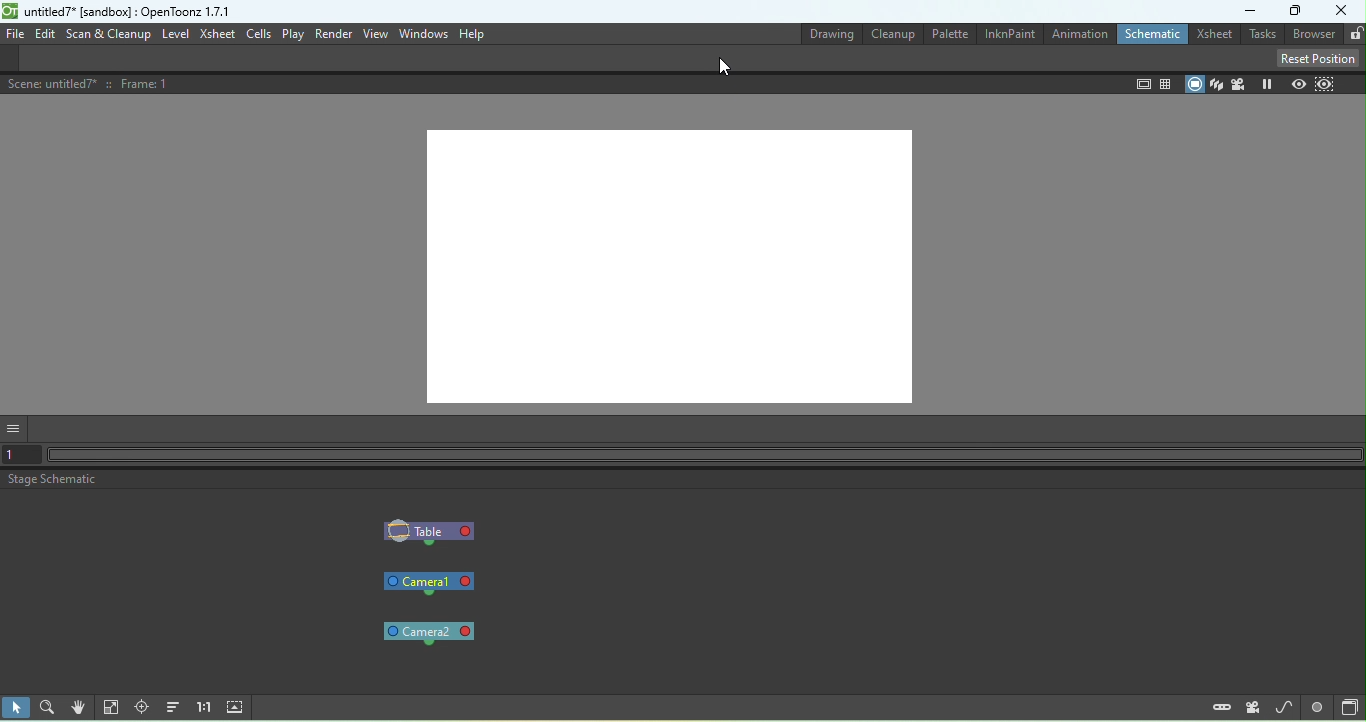 The image size is (1366, 722). Describe the element at coordinates (175, 707) in the screenshot. I see `Reorder nodes` at that location.